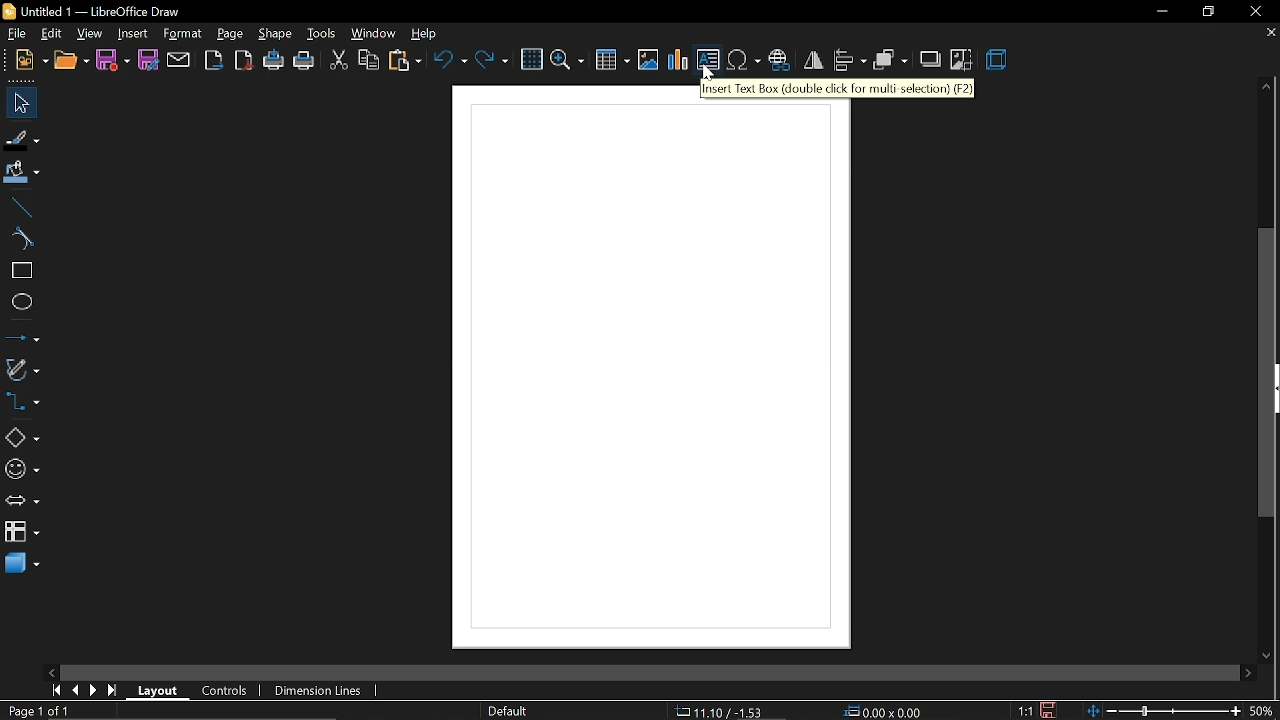  I want to click on move up, so click(1262, 87).